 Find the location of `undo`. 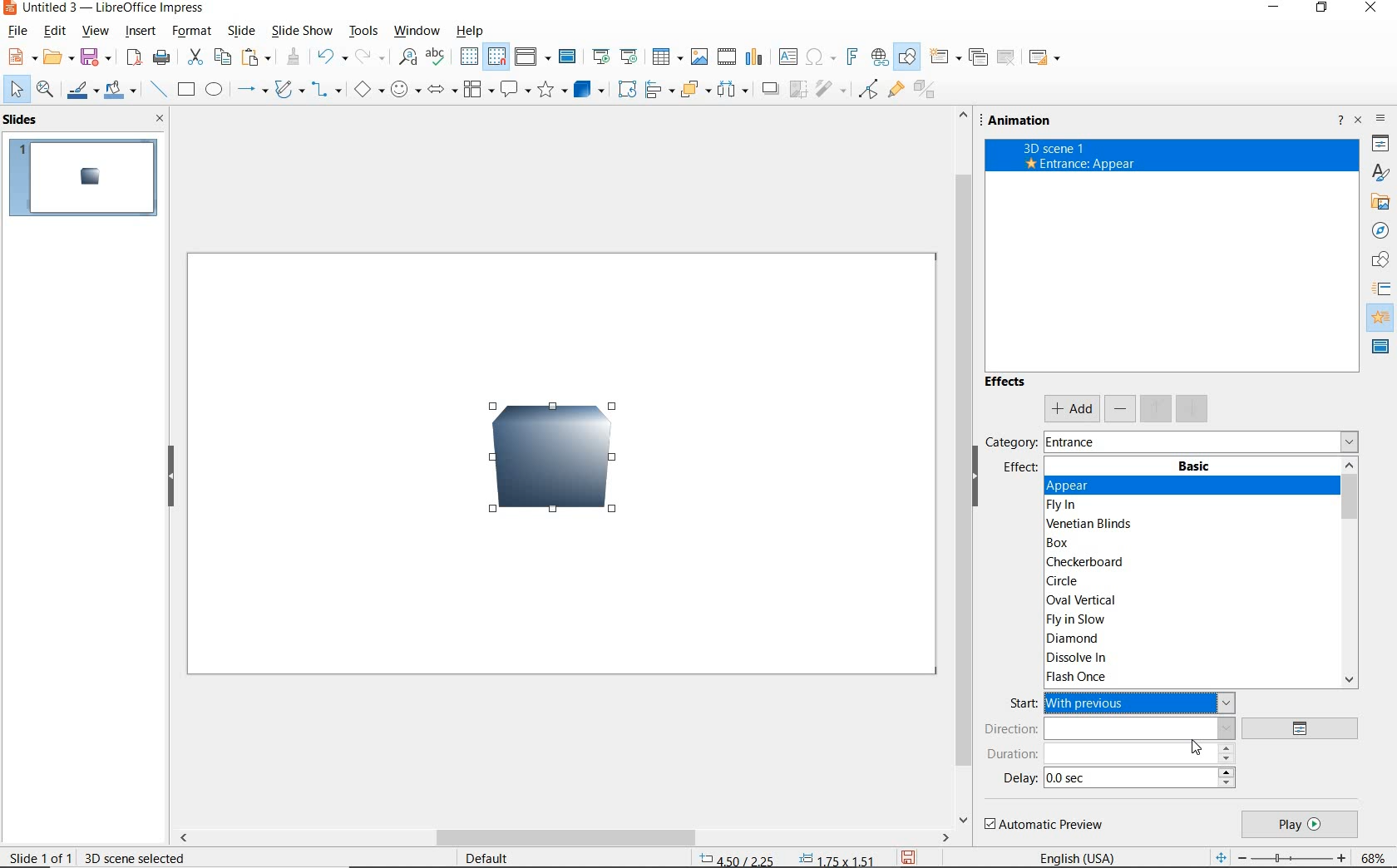

undo is located at coordinates (330, 57).